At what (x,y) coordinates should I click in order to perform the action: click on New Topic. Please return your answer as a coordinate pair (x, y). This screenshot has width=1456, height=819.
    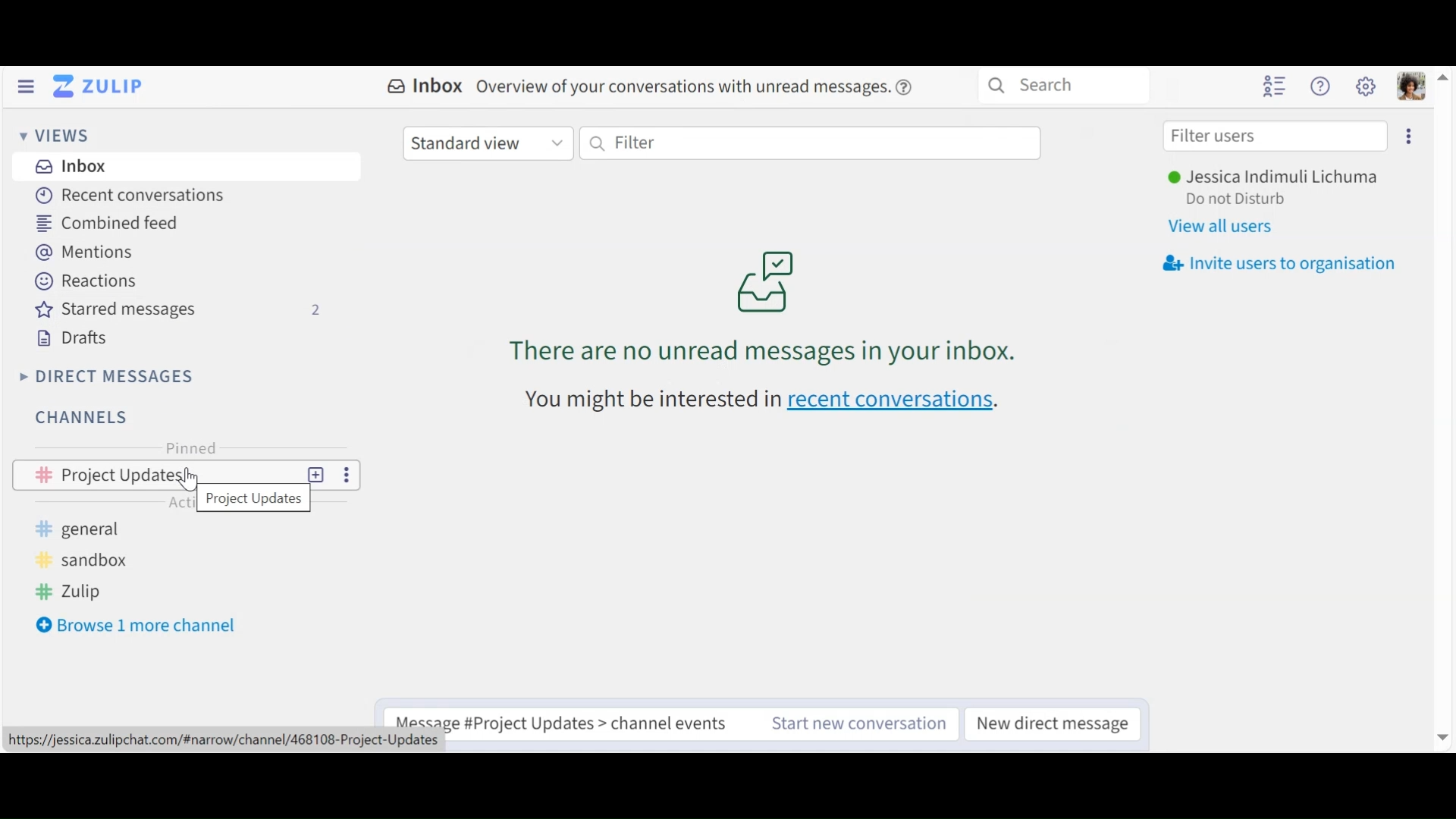
    Looking at the image, I should click on (316, 472).